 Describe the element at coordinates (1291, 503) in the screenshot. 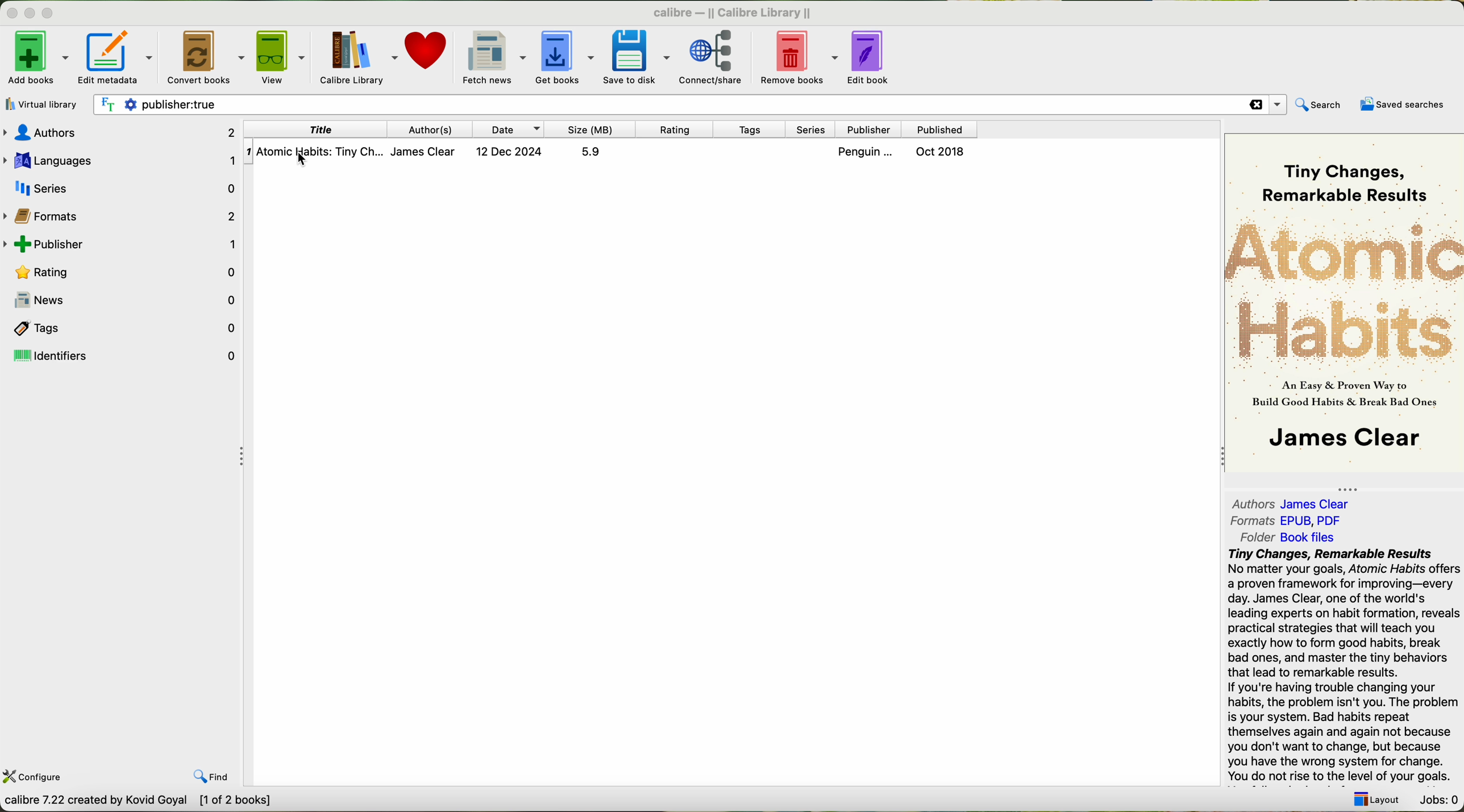

I see `authors` at that location.